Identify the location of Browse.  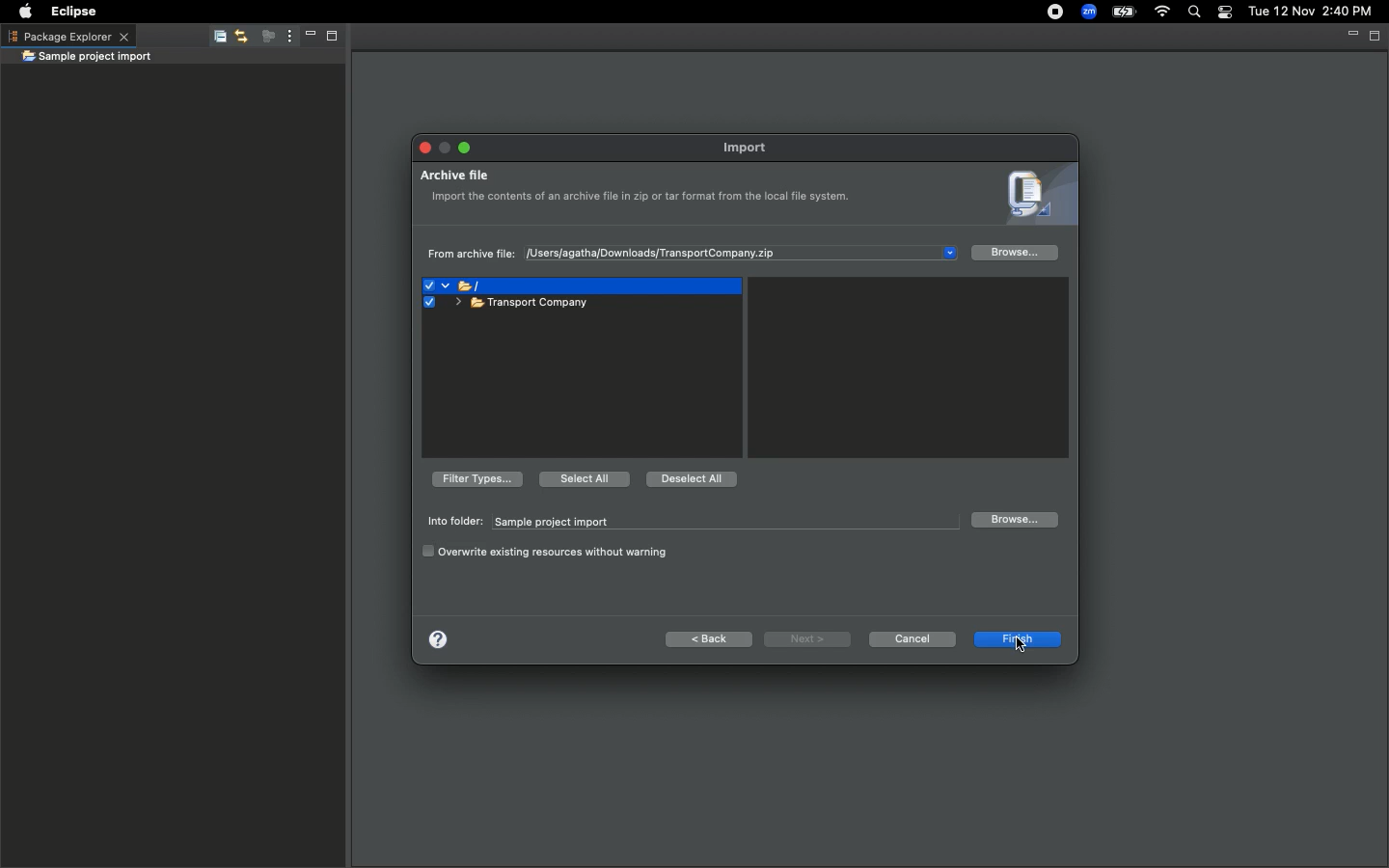
(1016, 255).